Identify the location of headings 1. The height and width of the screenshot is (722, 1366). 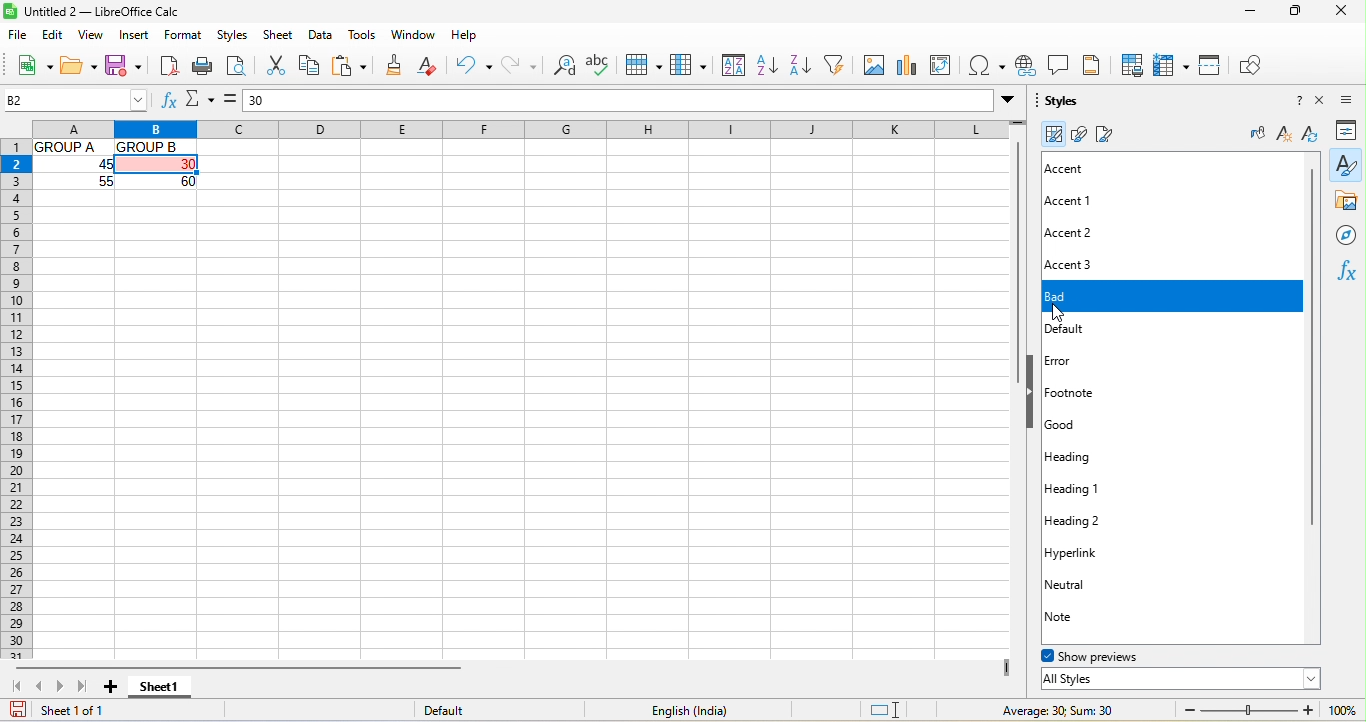
(1114, 489).